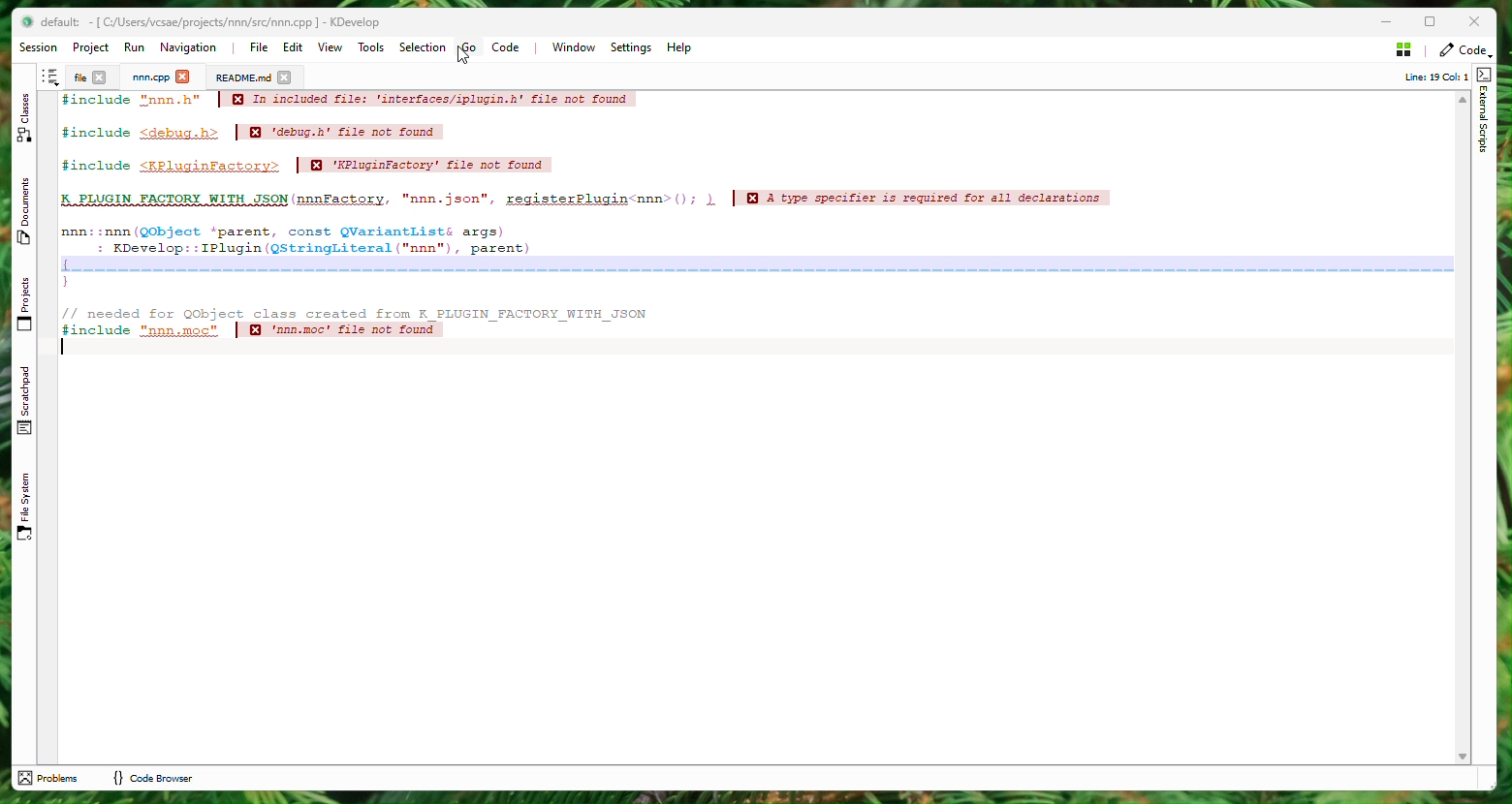 Image resolution: width=1512 pixels, height=804 pixels. Describe the element at coordinates (50, 778) in the screenshot. I see `problems` at that location.